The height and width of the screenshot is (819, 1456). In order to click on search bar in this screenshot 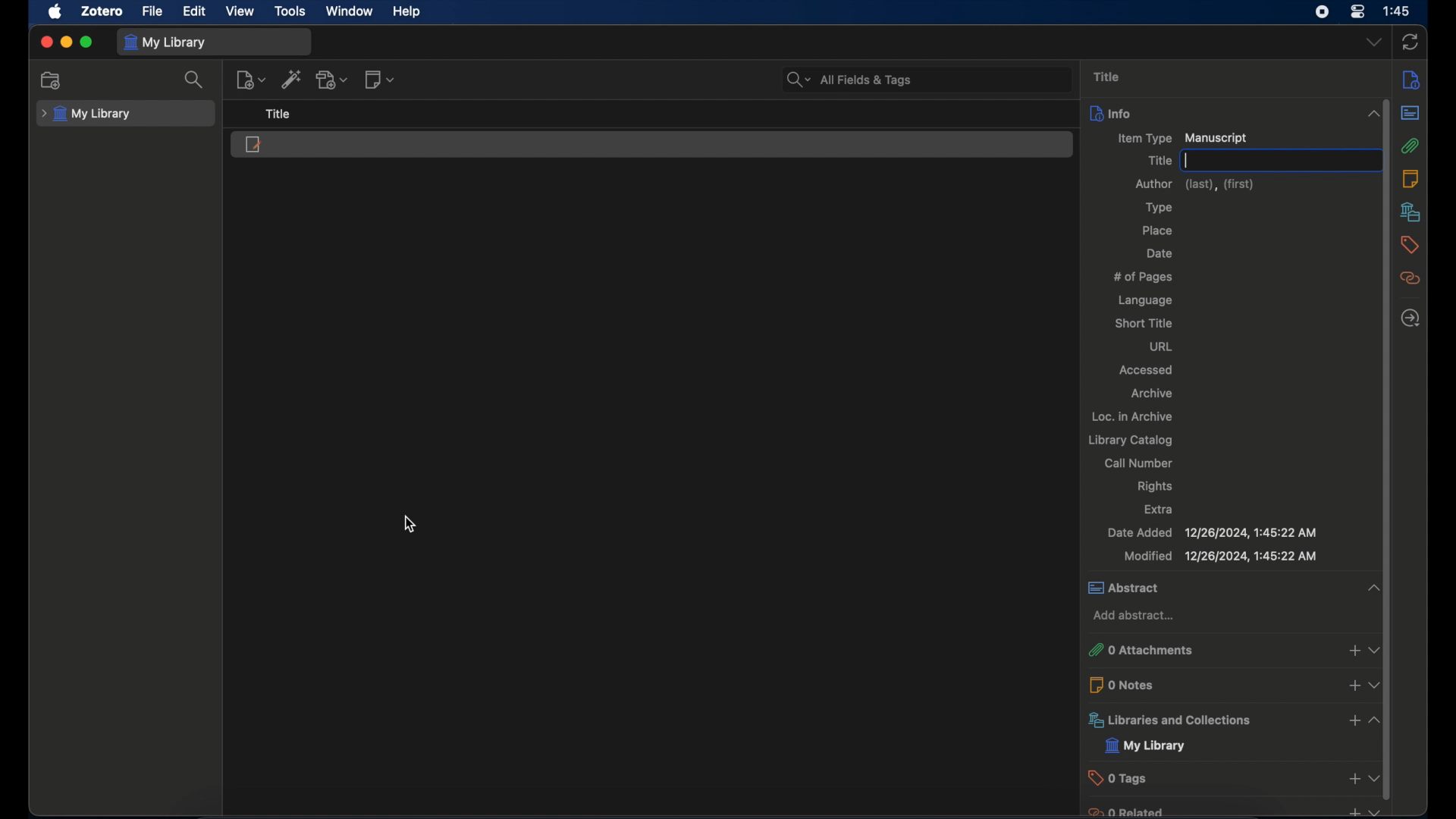, I will do `click(849, 80)`.